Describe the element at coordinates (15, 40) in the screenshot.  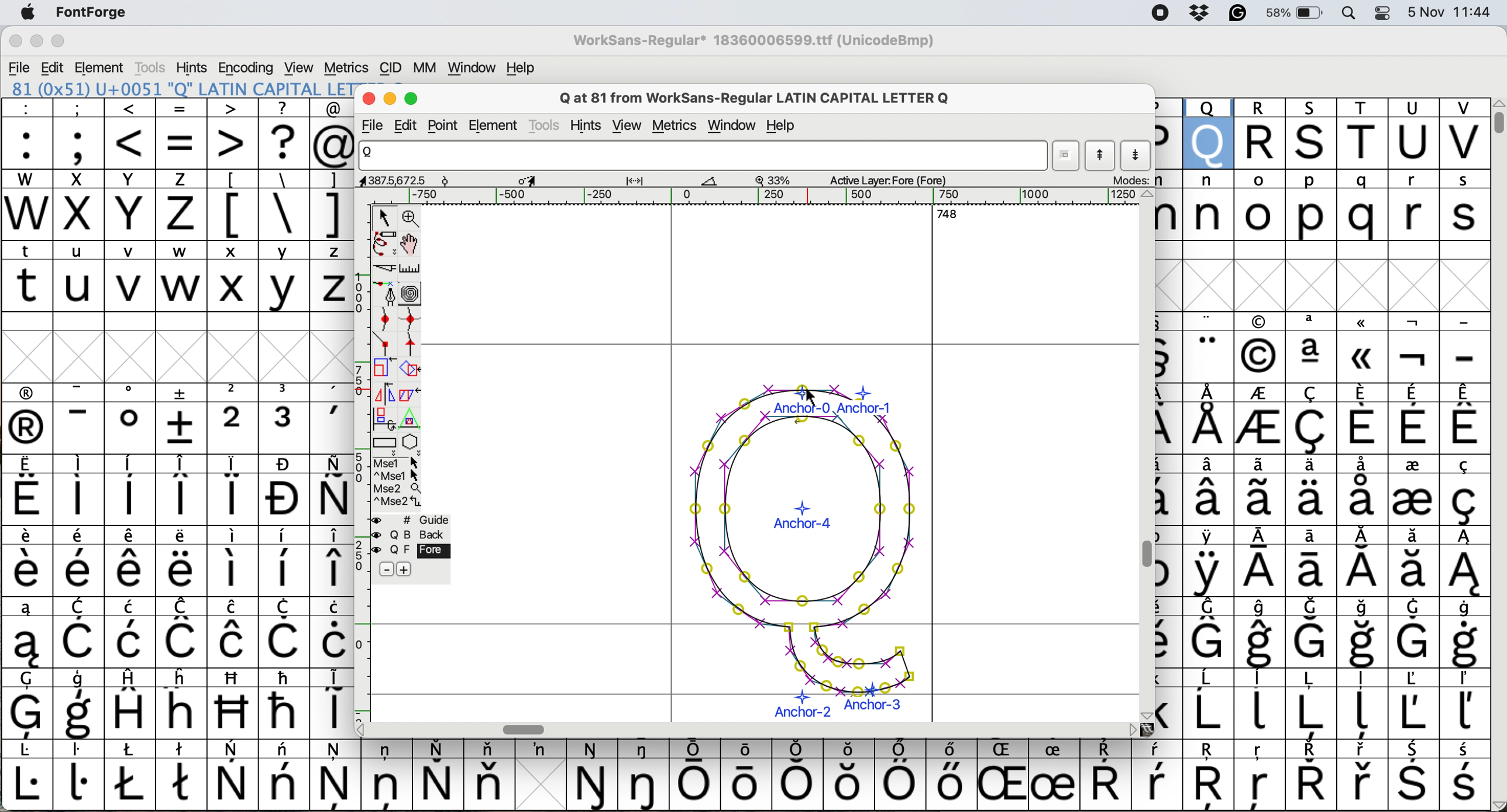
I see `close` at that location.